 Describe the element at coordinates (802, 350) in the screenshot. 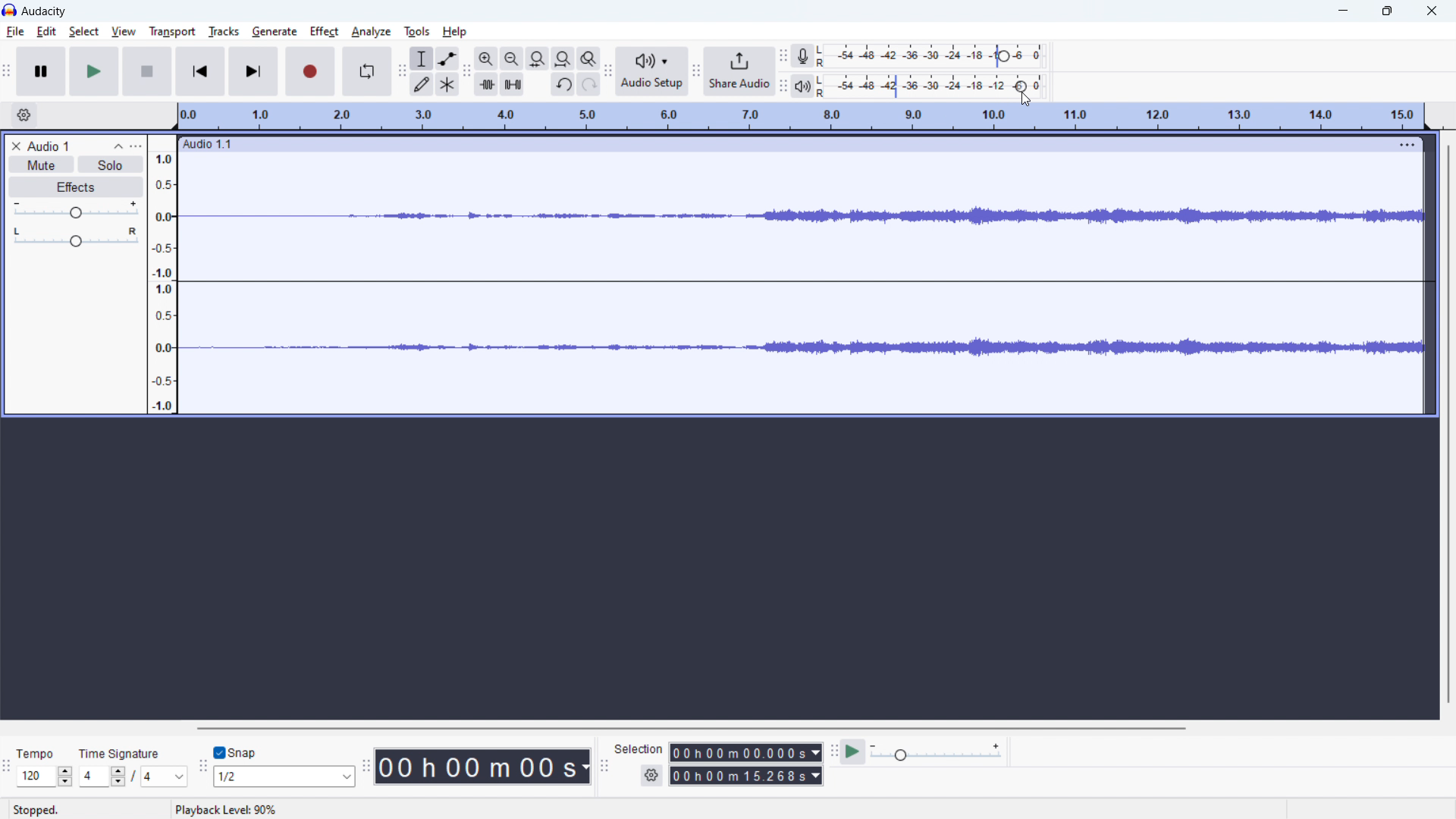

I see `waveform` at that location.